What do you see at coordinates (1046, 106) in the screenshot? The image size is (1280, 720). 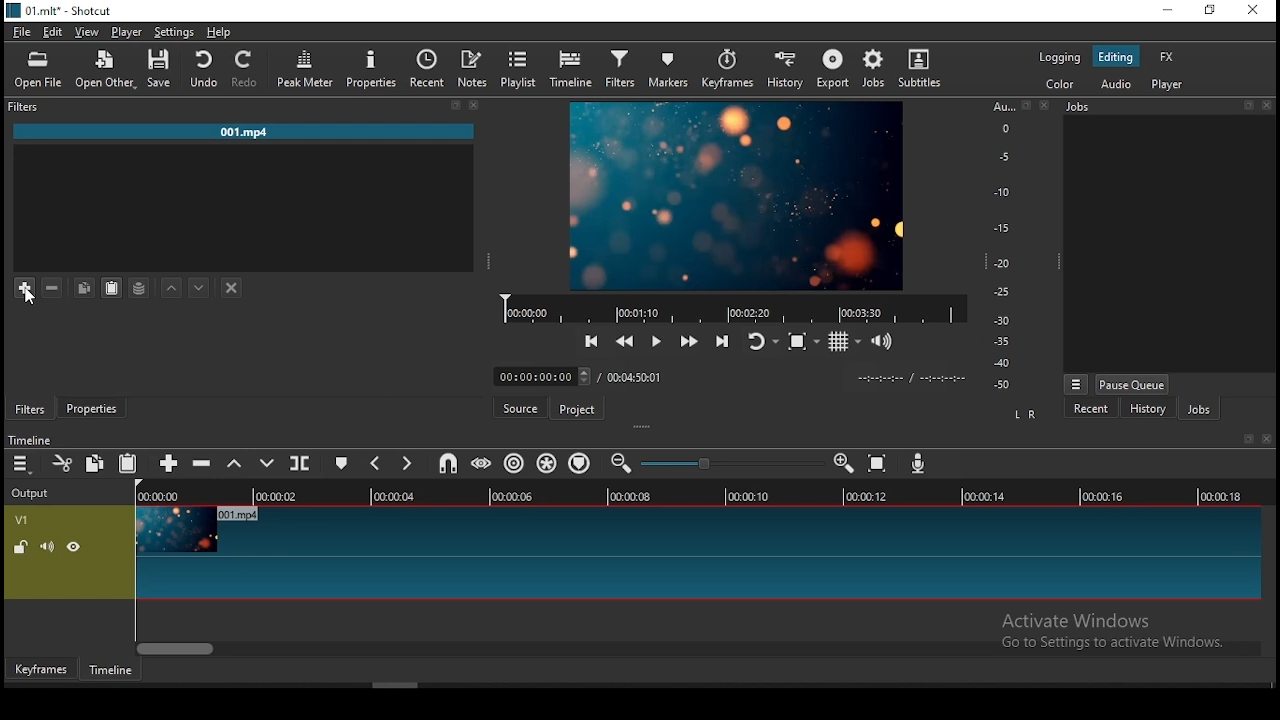 I see `close` at bounding box center [1046, 106].